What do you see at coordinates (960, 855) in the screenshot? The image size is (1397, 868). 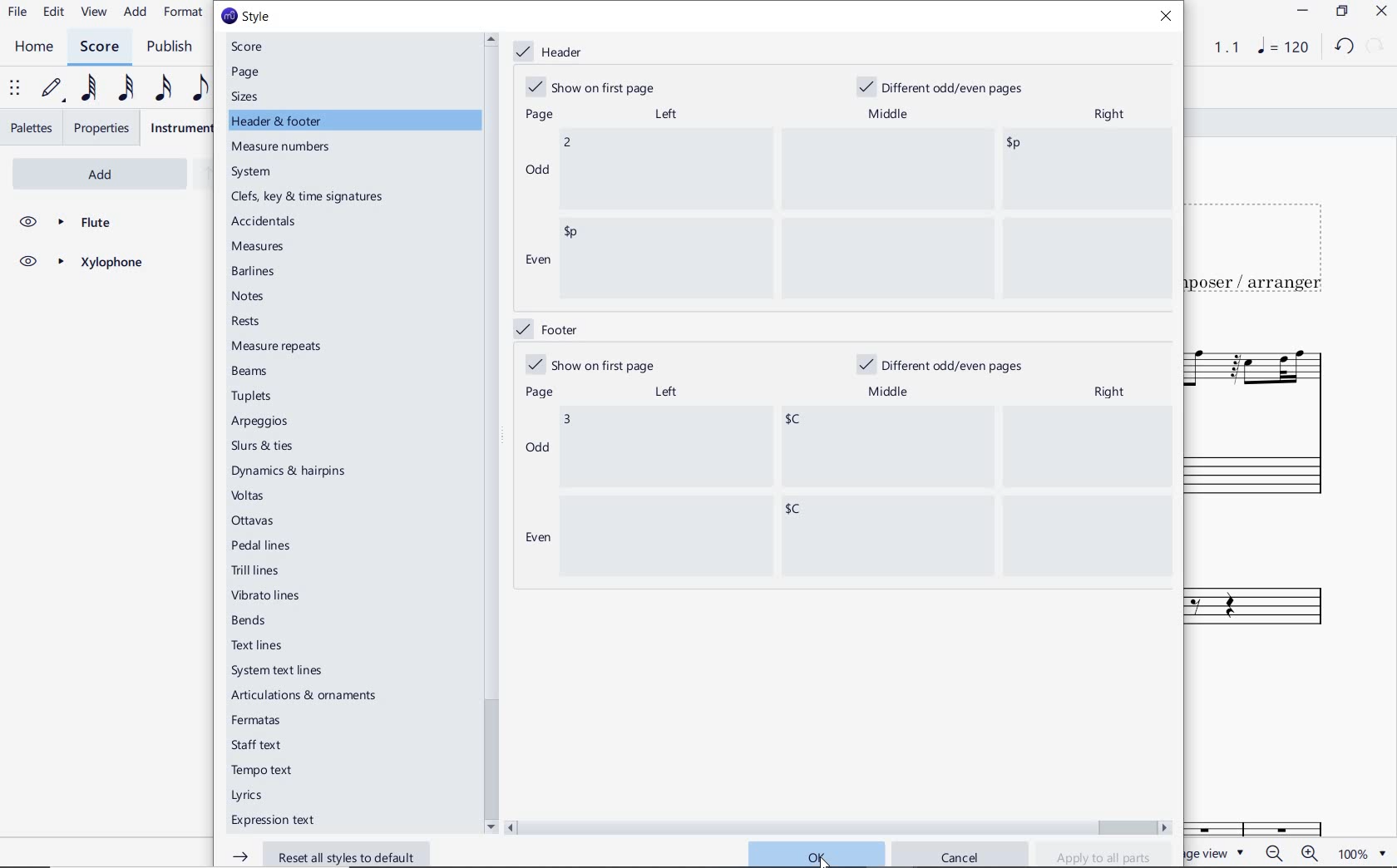 I see `cancel` at bounding box center [960, 855].